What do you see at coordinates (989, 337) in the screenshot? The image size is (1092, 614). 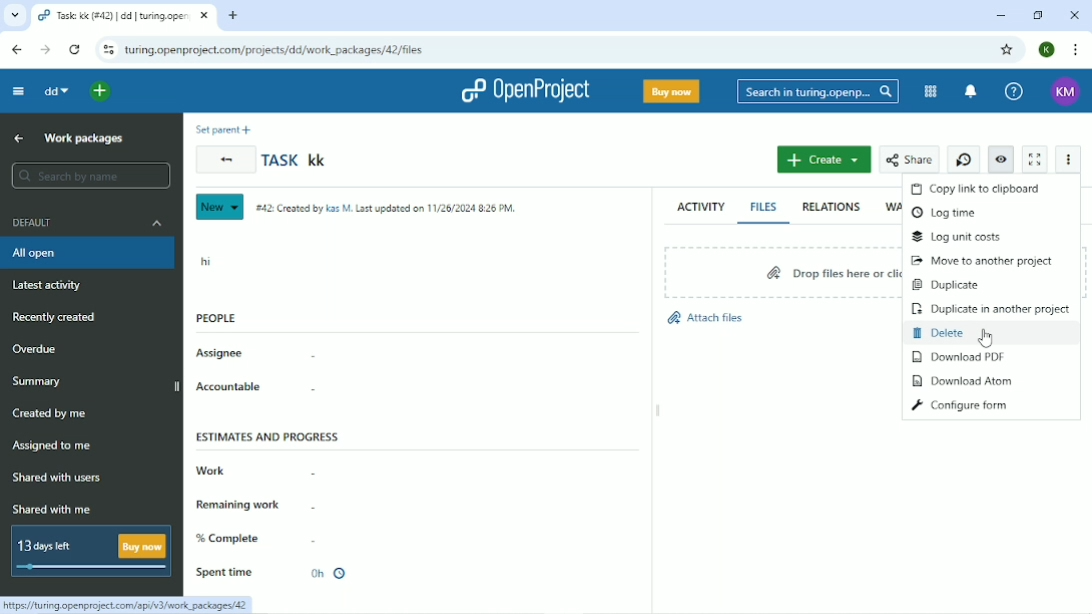 I see `Cursor` at bounding box center [989, 337].